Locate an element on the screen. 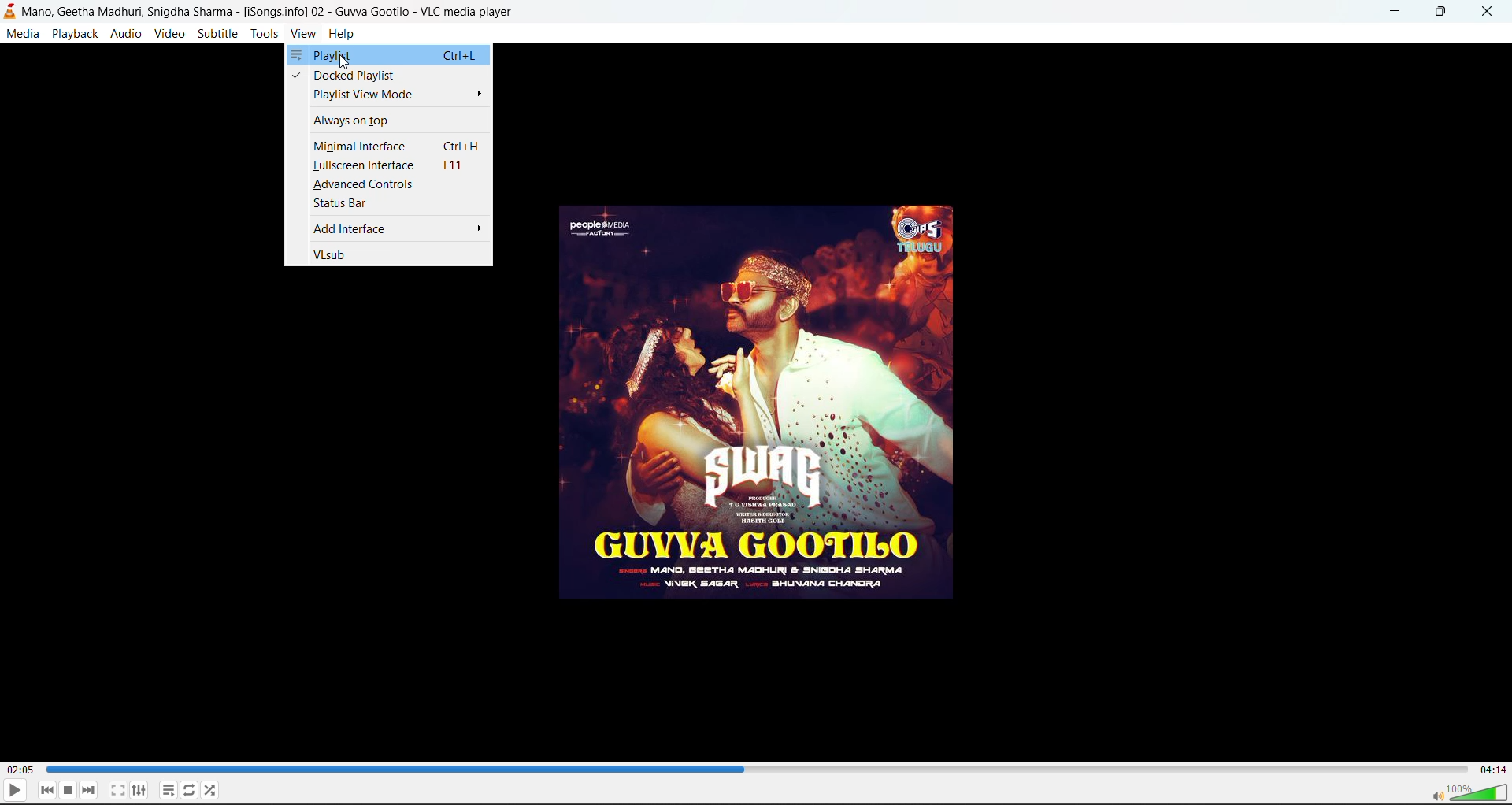 The width and height of the screenshot is (1512, 805). status bar is located at coordinates (391, 203).